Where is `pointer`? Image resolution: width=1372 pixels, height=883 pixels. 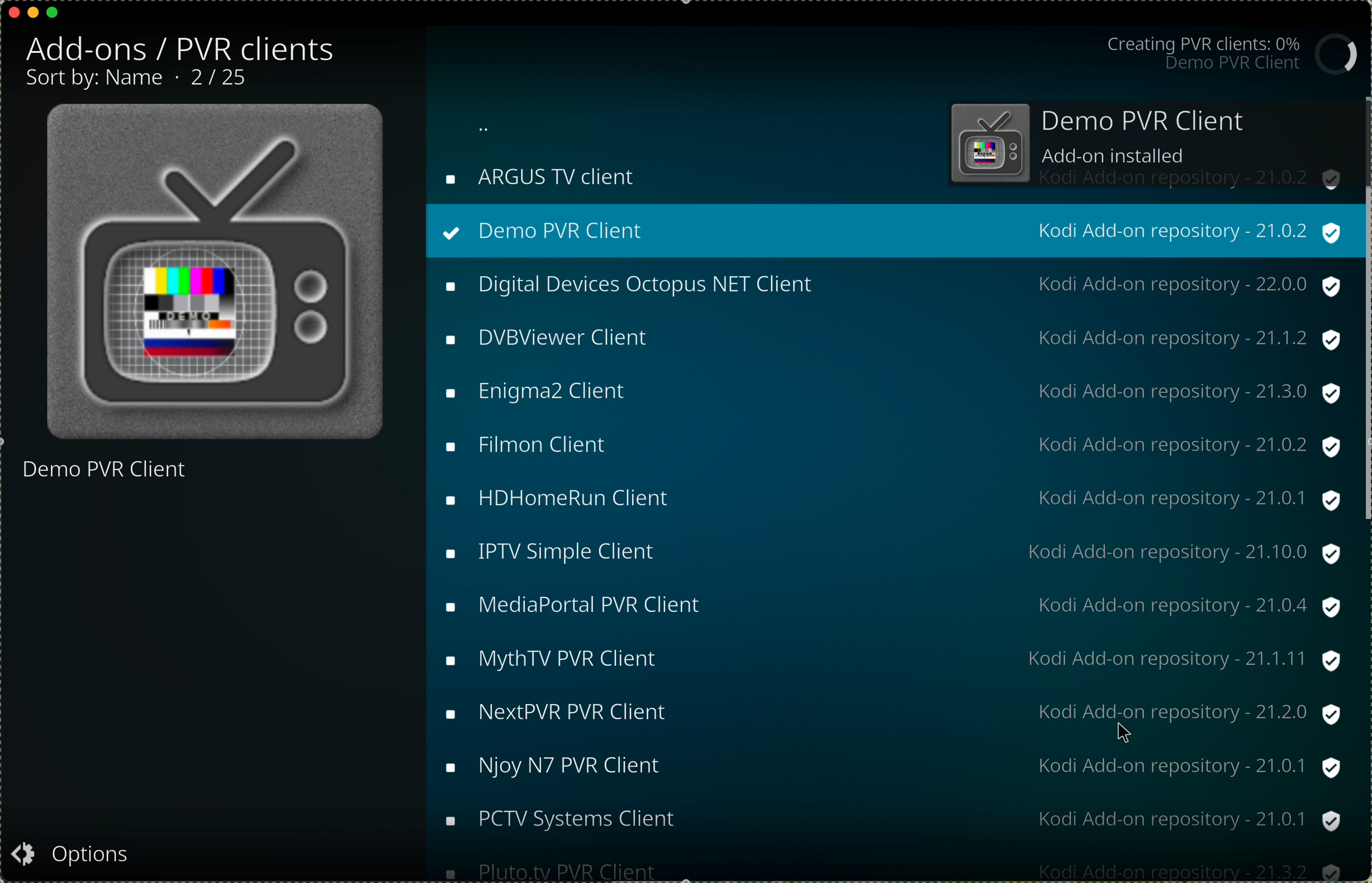 pointer is located at coordinates (1124, 731).